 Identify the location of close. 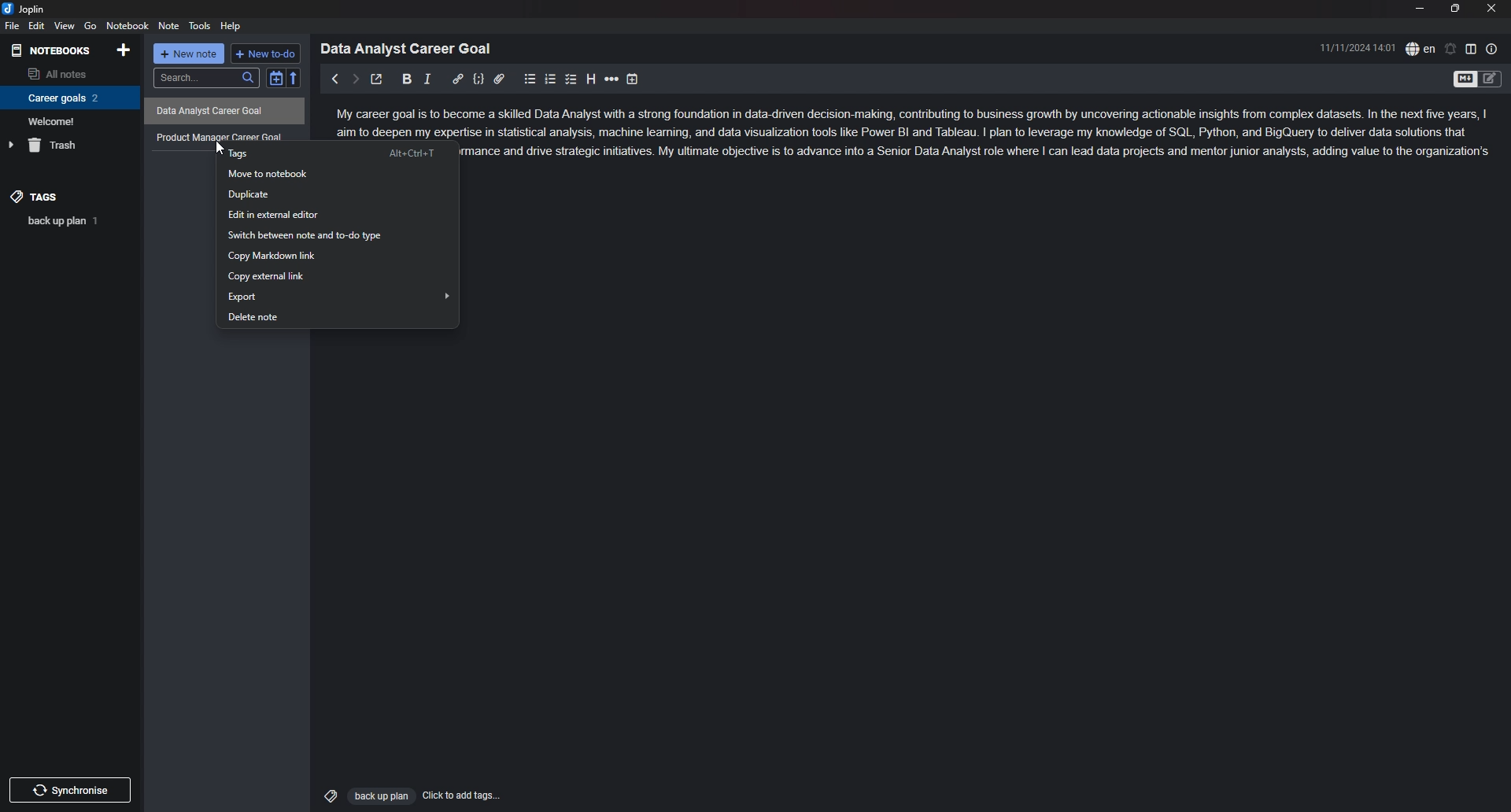
(1491, 8).